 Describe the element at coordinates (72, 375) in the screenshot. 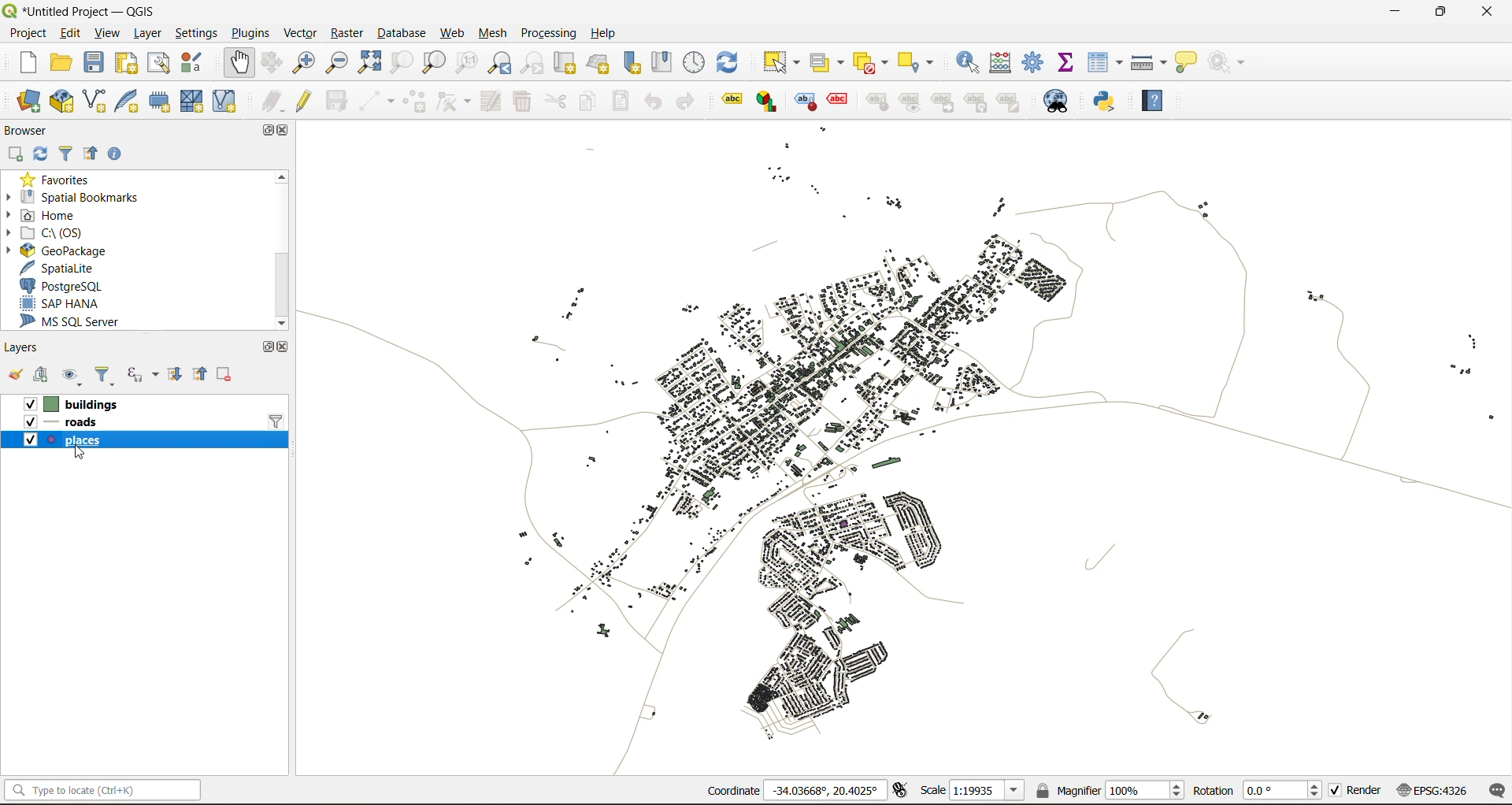

I see `manage map` at that location.